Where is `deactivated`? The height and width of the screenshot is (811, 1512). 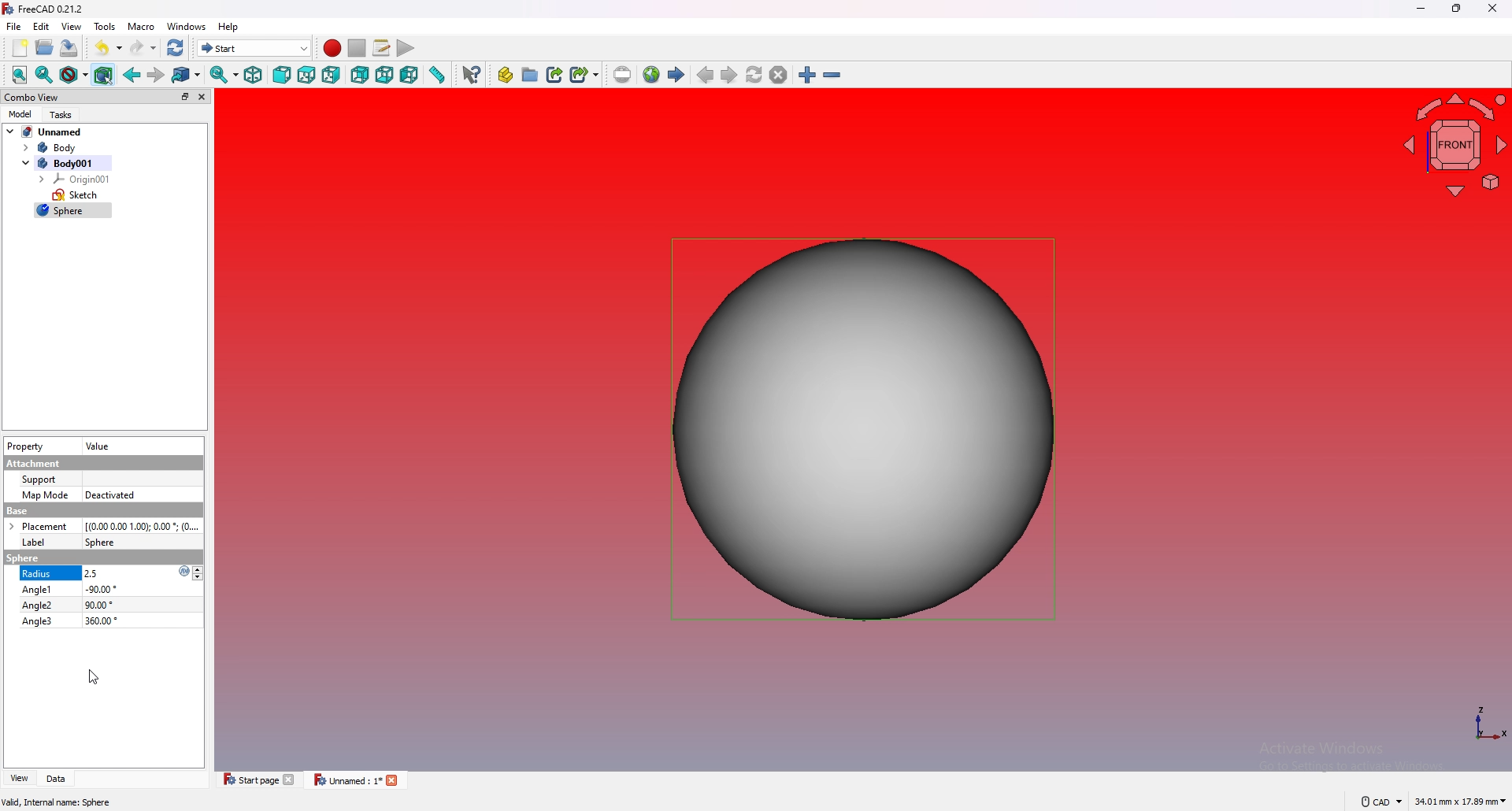
deactivated is located at coordinates (111, 495).